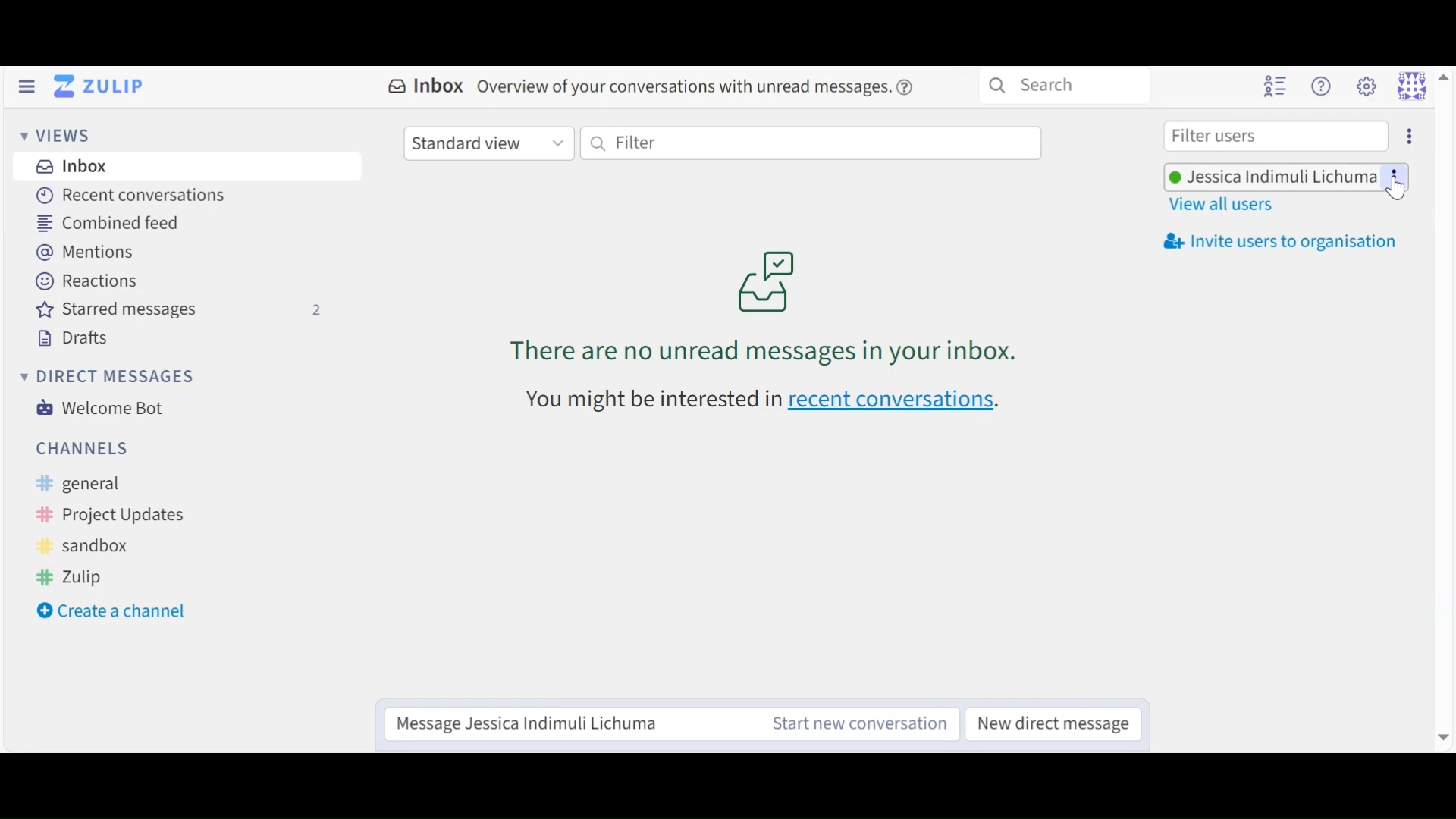  I want to click on zulip, so click(71, 576).